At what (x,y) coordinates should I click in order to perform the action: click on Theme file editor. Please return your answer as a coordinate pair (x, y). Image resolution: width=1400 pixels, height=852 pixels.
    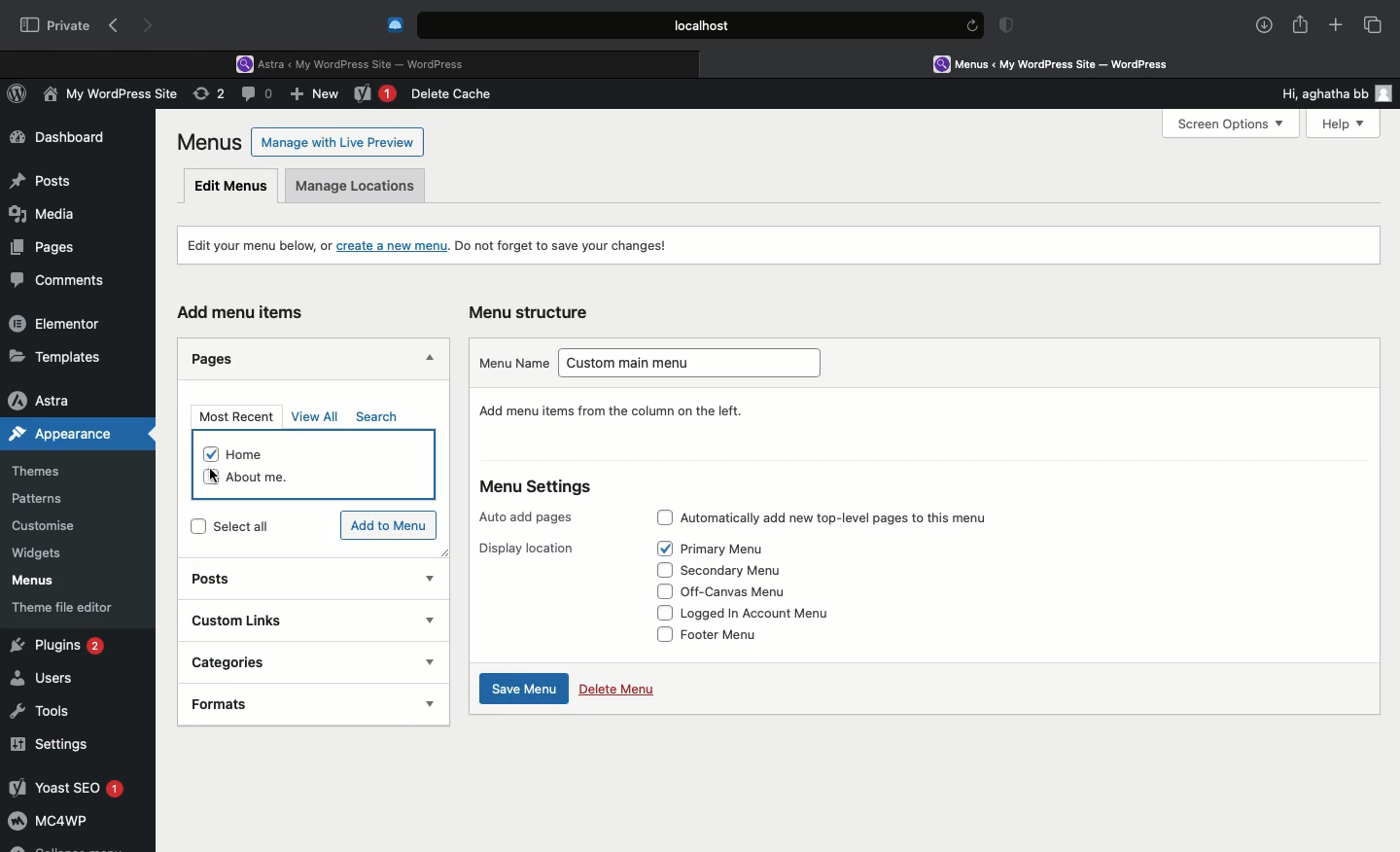
    Looking at the image, I should click on (70, 607).